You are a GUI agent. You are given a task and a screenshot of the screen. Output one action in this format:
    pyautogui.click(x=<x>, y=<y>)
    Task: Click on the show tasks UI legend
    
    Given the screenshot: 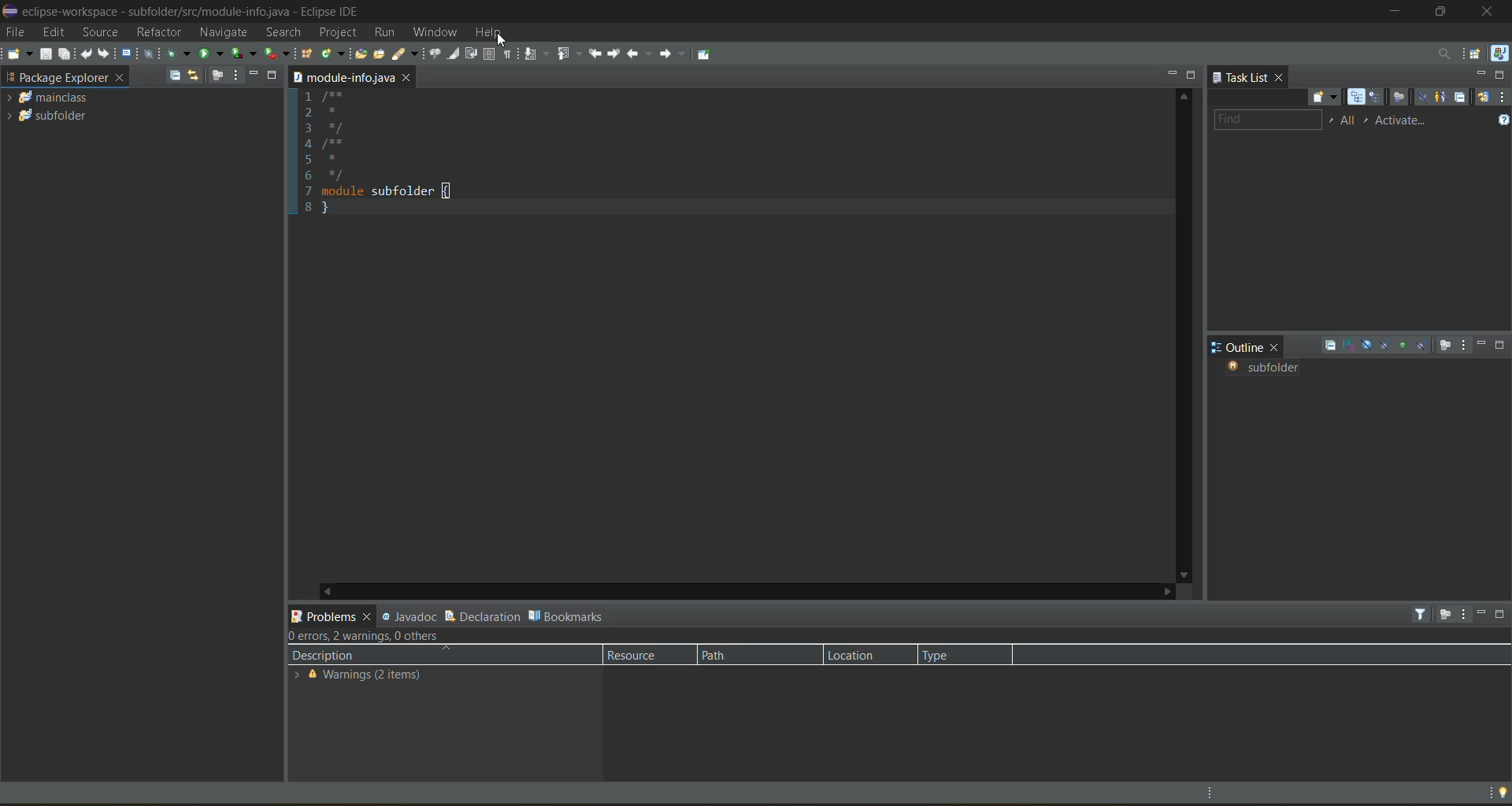 What is the action you would take?
    pyautogui.click(x=1503, y=119)
    